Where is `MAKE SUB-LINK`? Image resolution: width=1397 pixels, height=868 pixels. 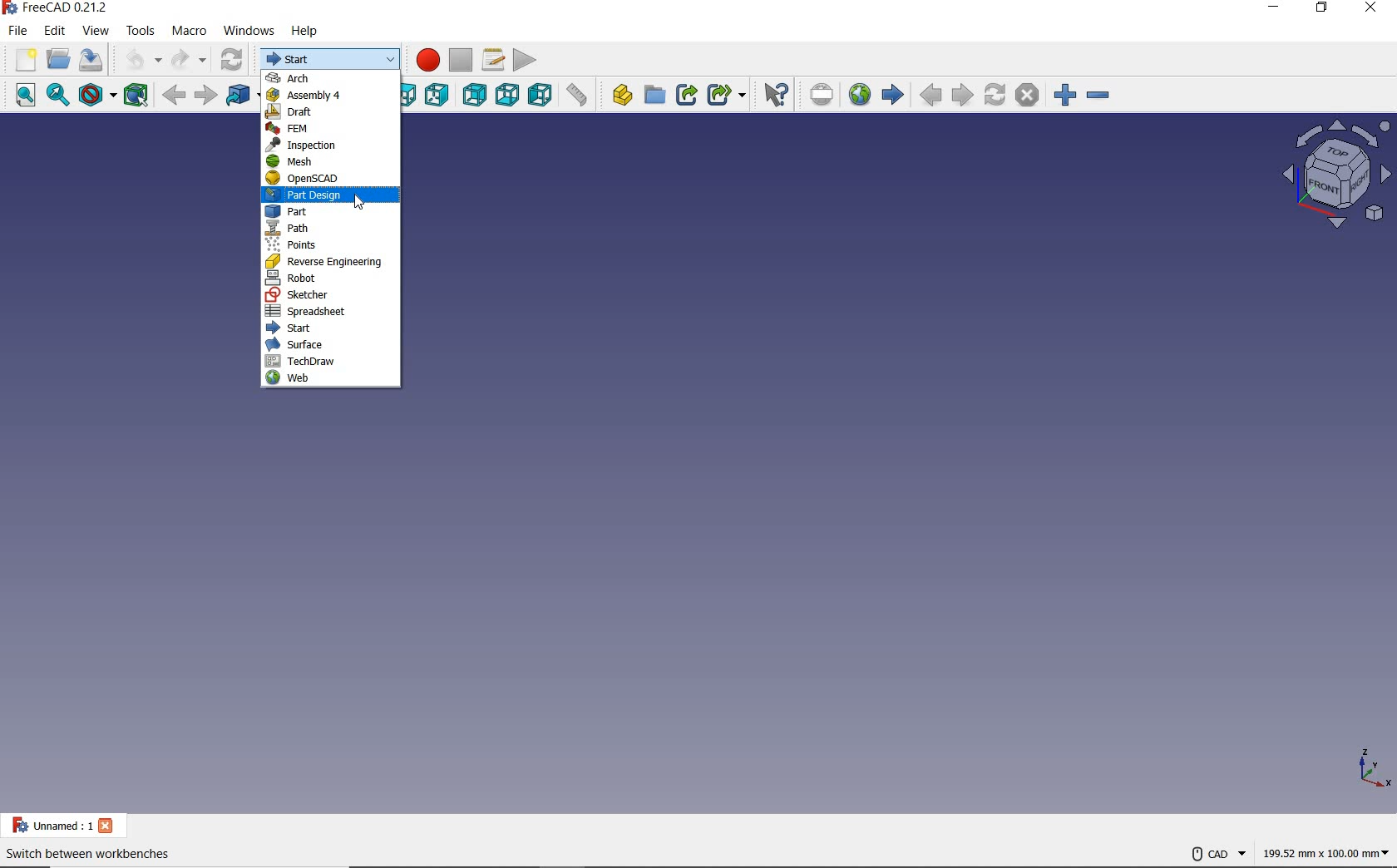
MAKE SUB-LINK is located at coordinates (726, 94).